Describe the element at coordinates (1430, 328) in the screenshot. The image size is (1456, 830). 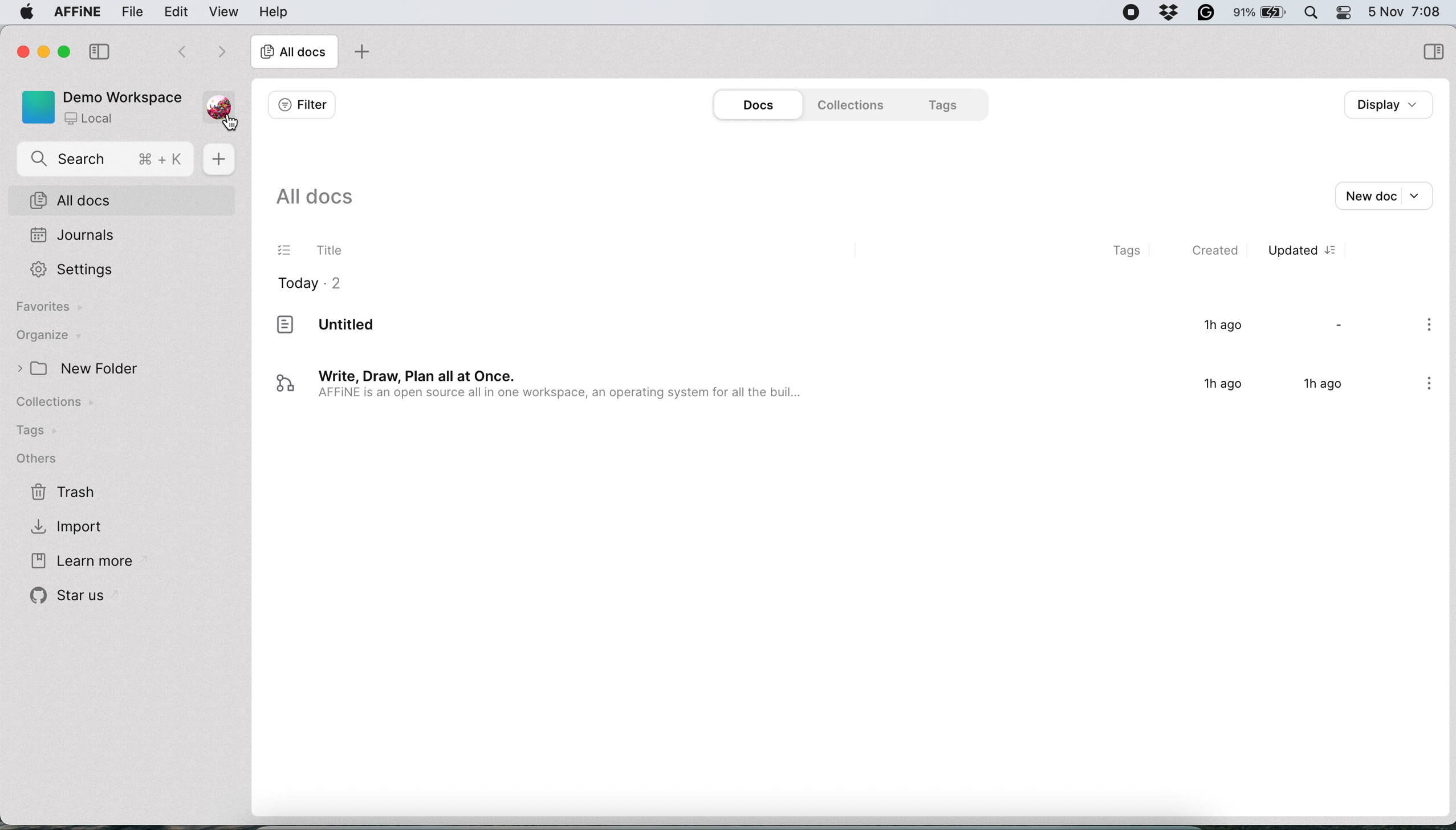
I see `more options` at that location.